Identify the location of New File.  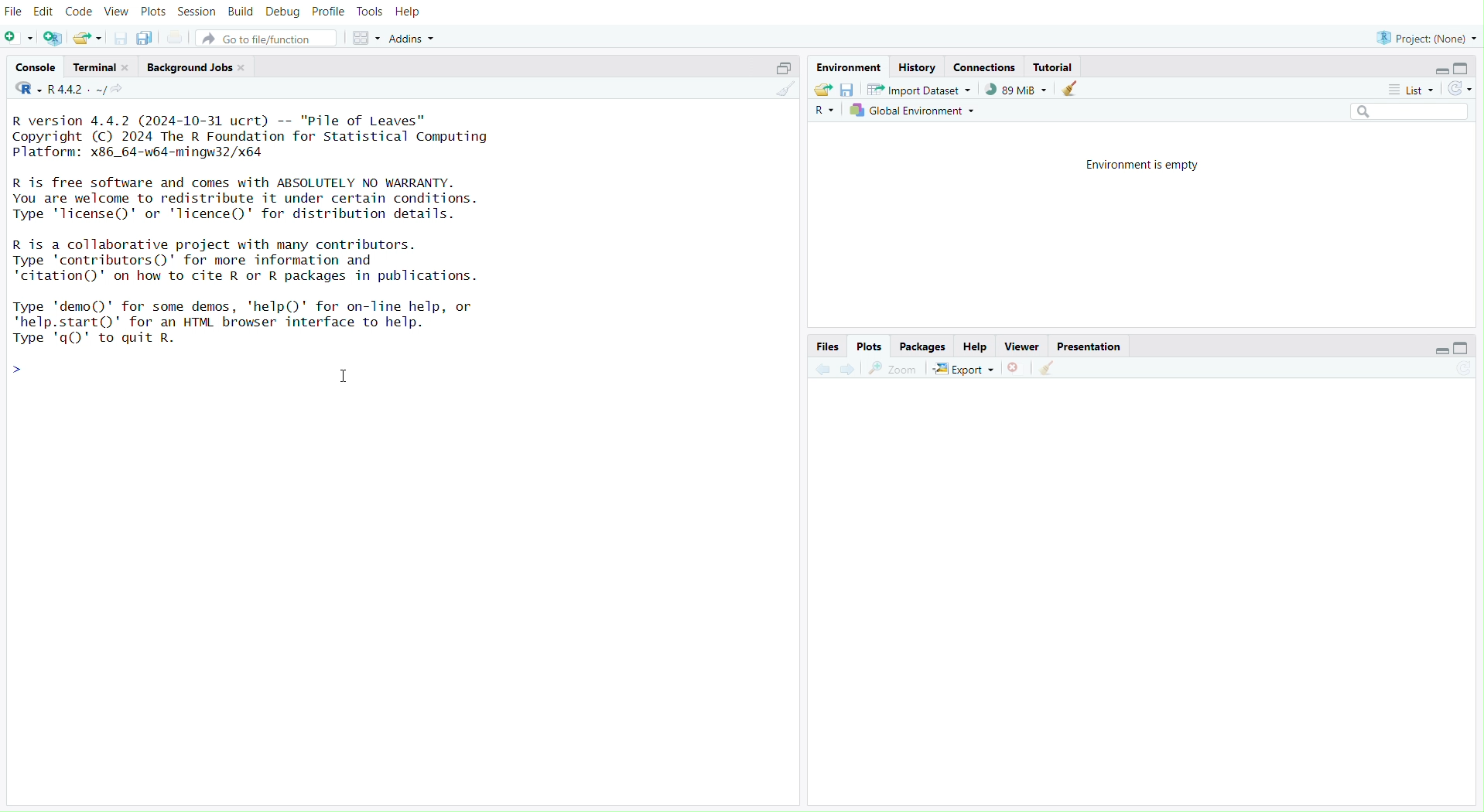
(19, 37).